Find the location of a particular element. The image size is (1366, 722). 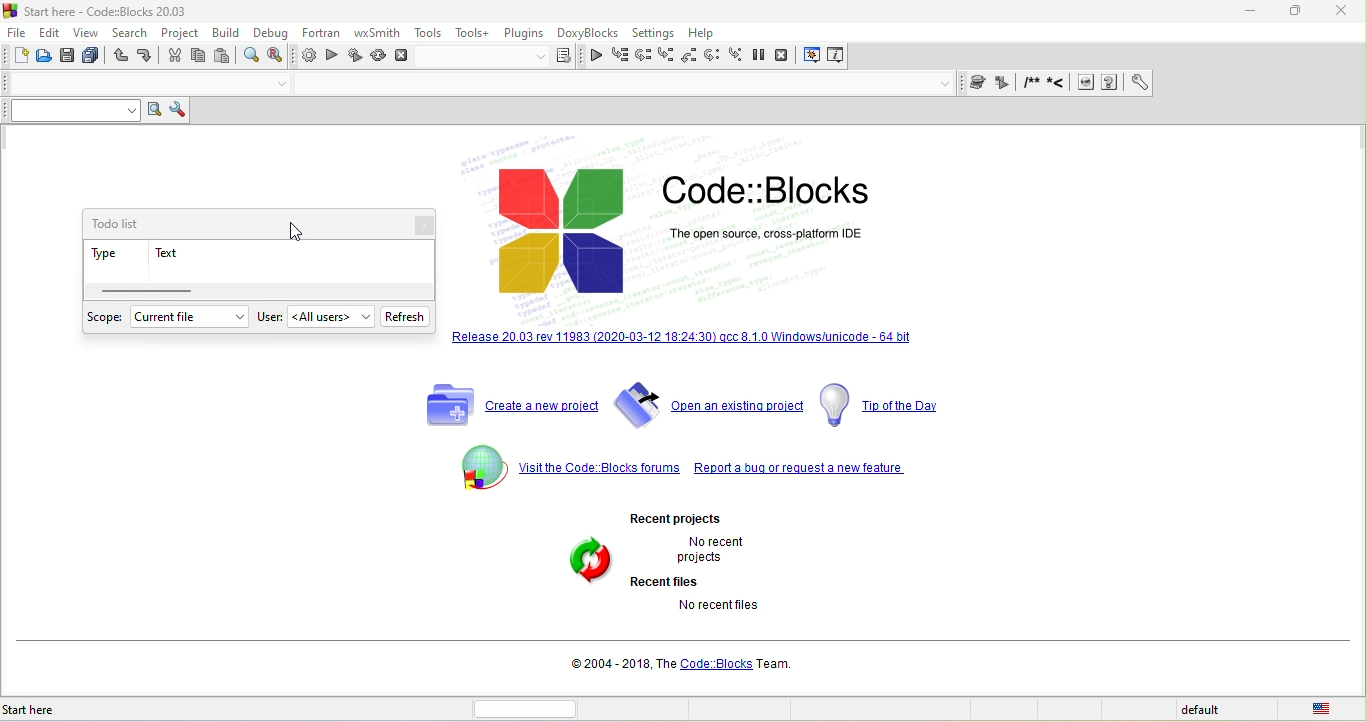

project is located at coordinates (180, 34).